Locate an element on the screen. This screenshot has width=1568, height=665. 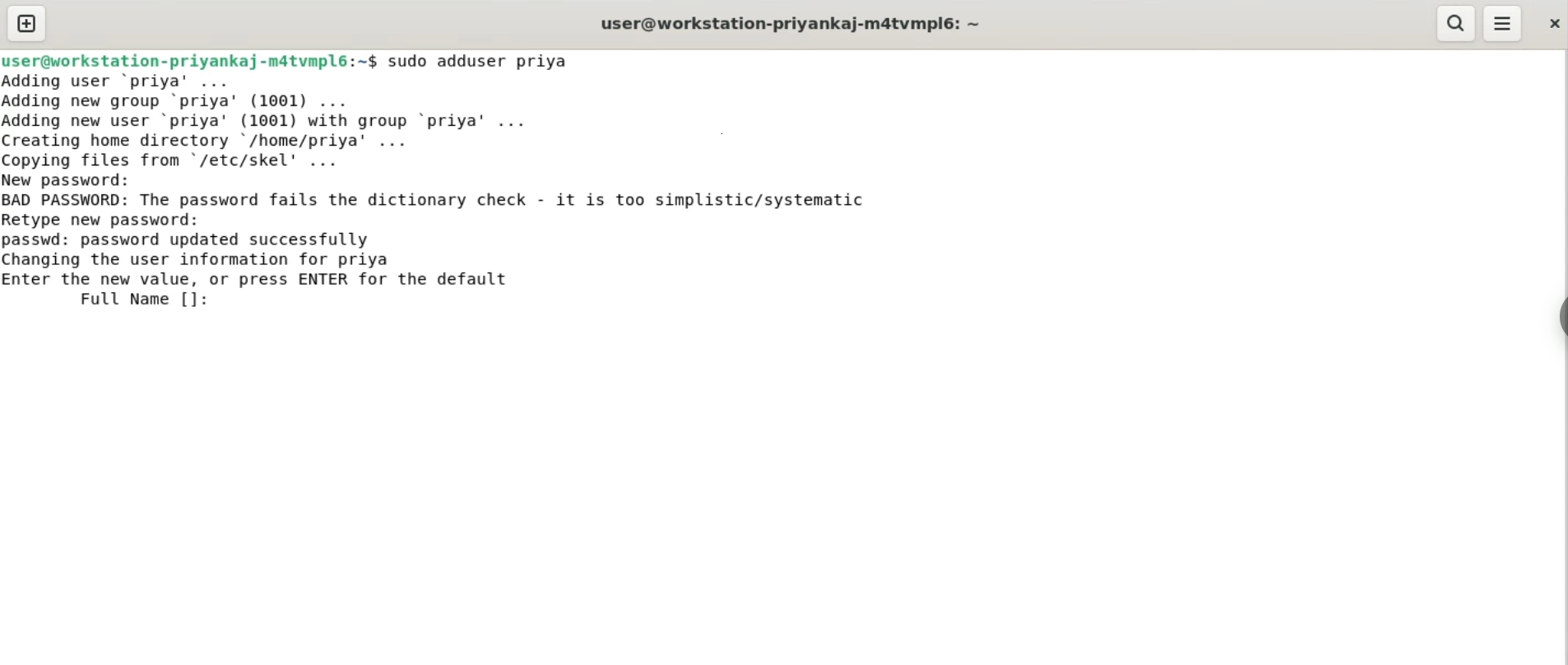
Adding user ‘priya' ...

Adding new group ‘priya’ (1001) ...

Adding new user ‘priya' (1001) with group ‘priya' ...
Creating home directory '/home/priya' ...

Copying files from "/etc/skel' ... is located at coordinates (274, 121).